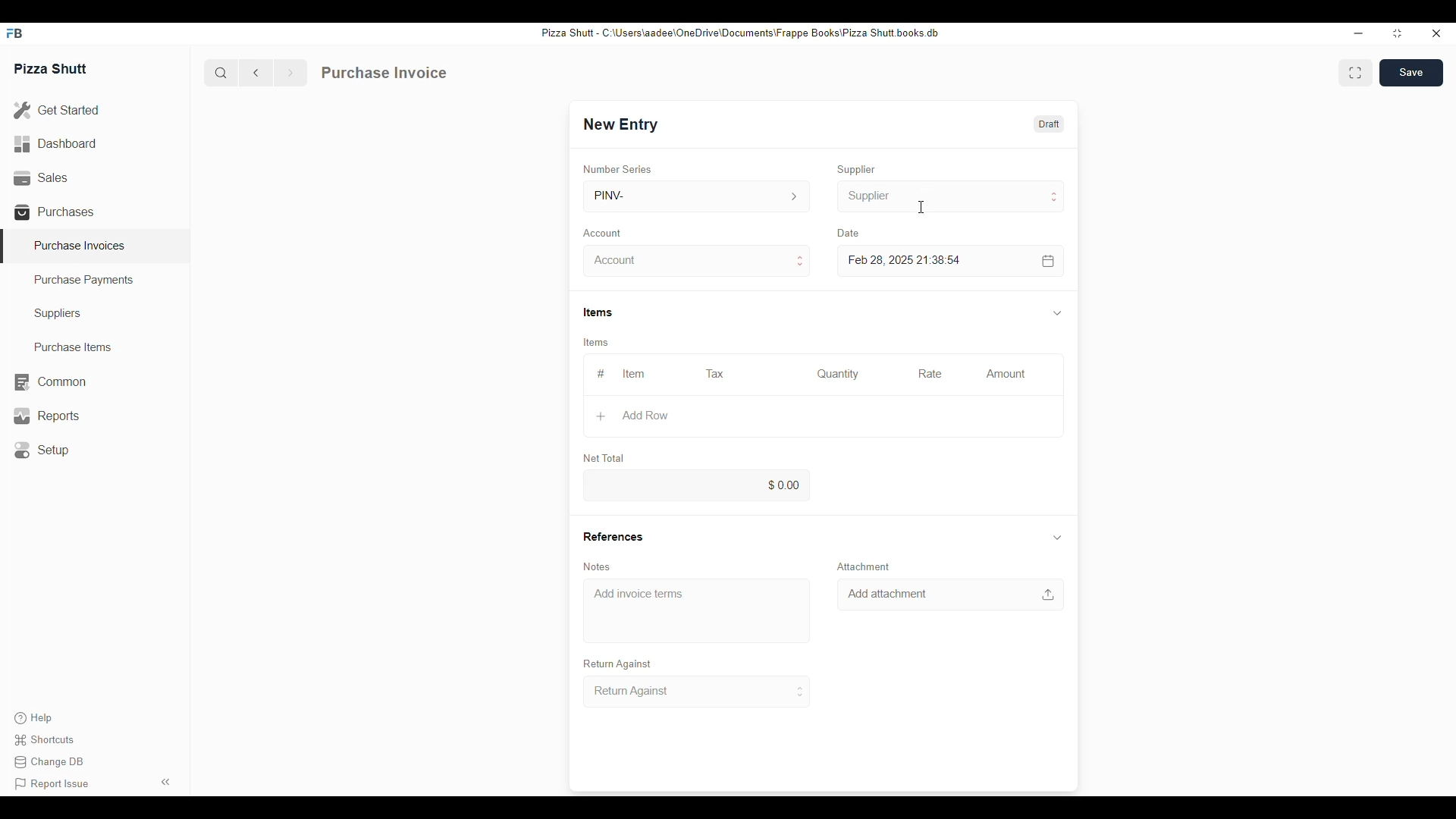  Describe the element at coordinates (698, 692) in the screenshot. I see `Return Against ` at that location.